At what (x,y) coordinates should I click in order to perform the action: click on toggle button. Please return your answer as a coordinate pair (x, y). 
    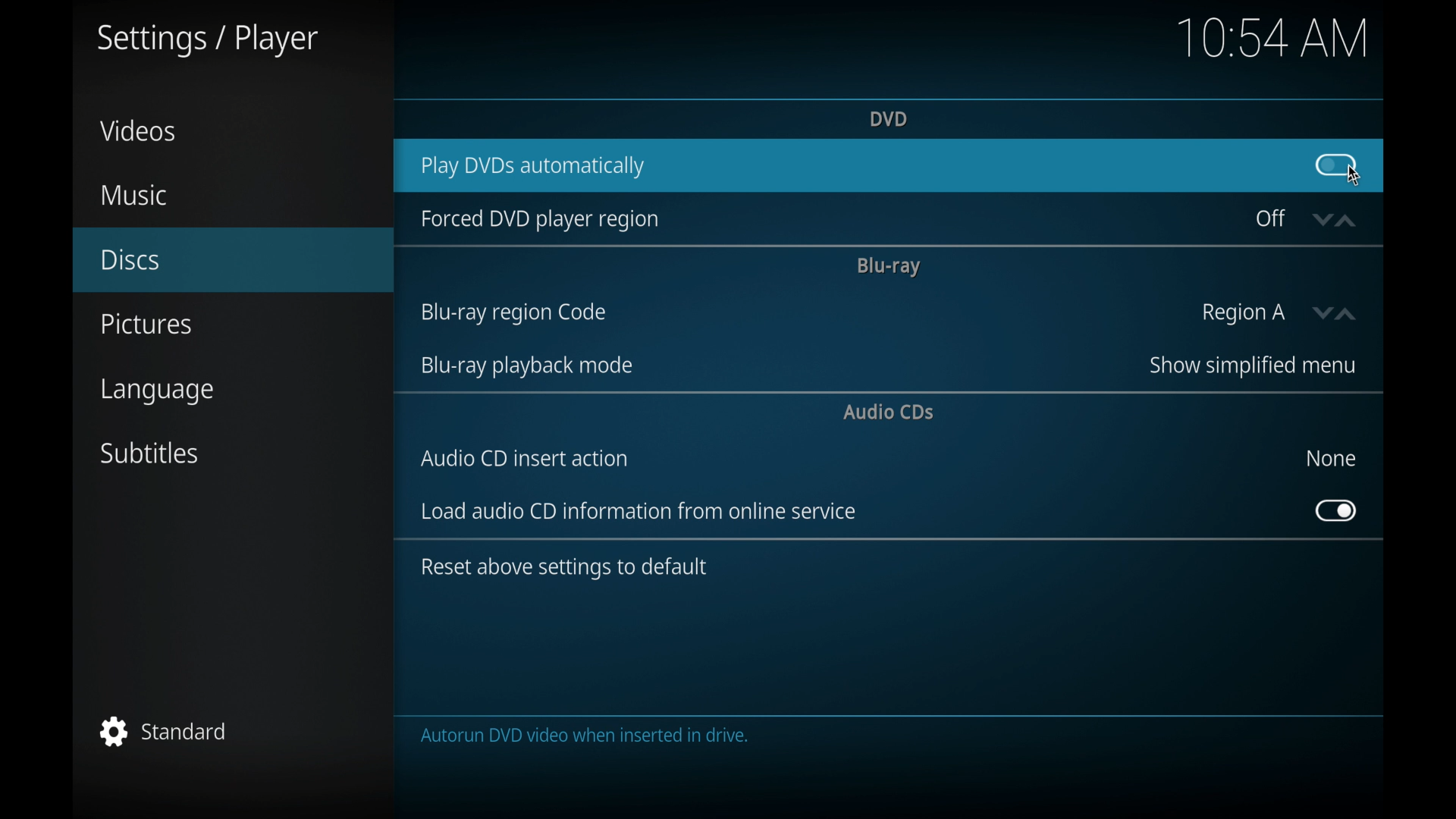
    Looking at the image, I should click on (1336, 511).